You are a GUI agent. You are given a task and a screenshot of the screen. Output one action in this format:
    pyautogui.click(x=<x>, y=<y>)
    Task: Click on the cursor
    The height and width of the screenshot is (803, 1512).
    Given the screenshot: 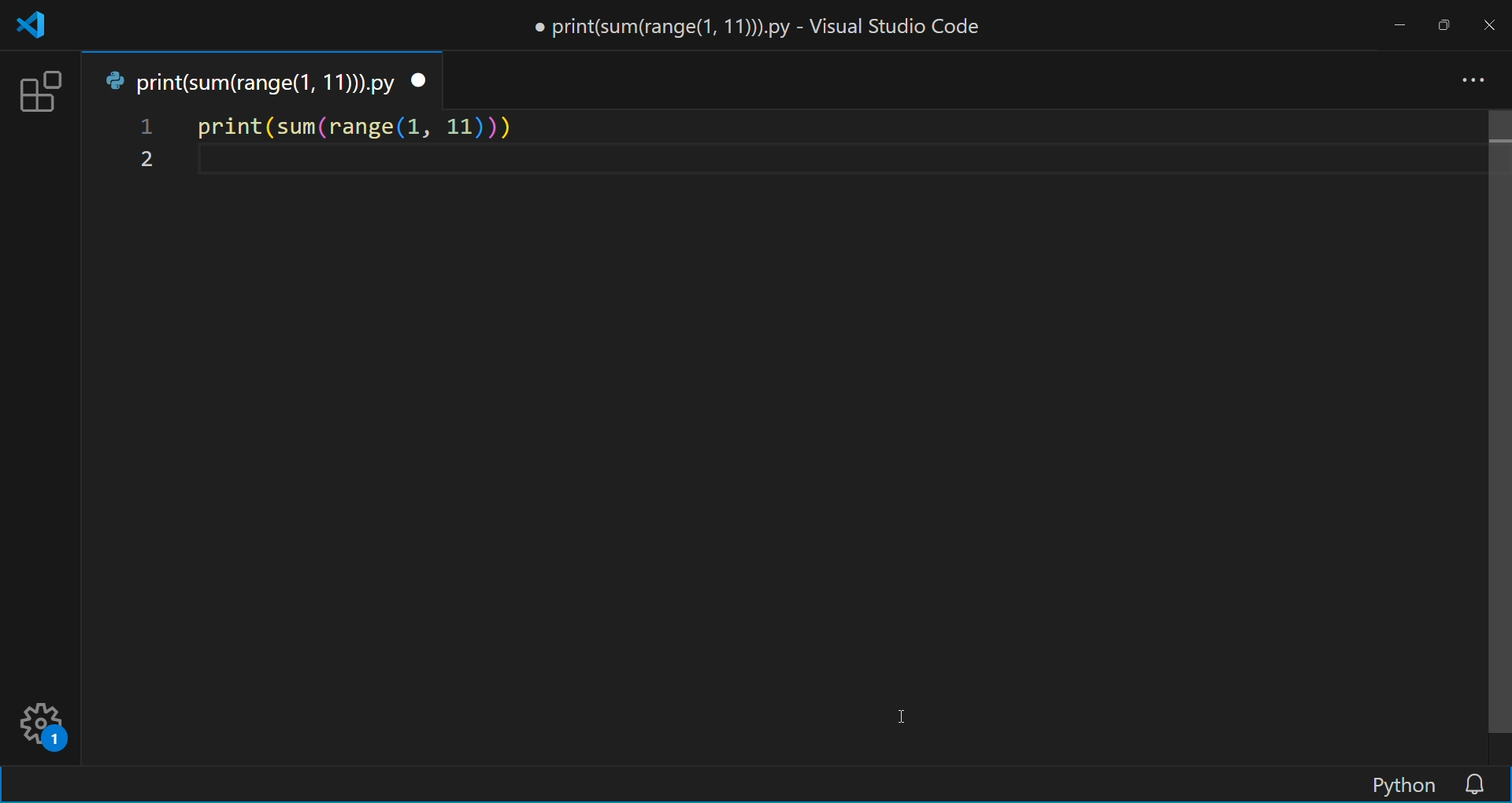 What is the action you would take?
    pyautogui.click(x=903, y=718)
    